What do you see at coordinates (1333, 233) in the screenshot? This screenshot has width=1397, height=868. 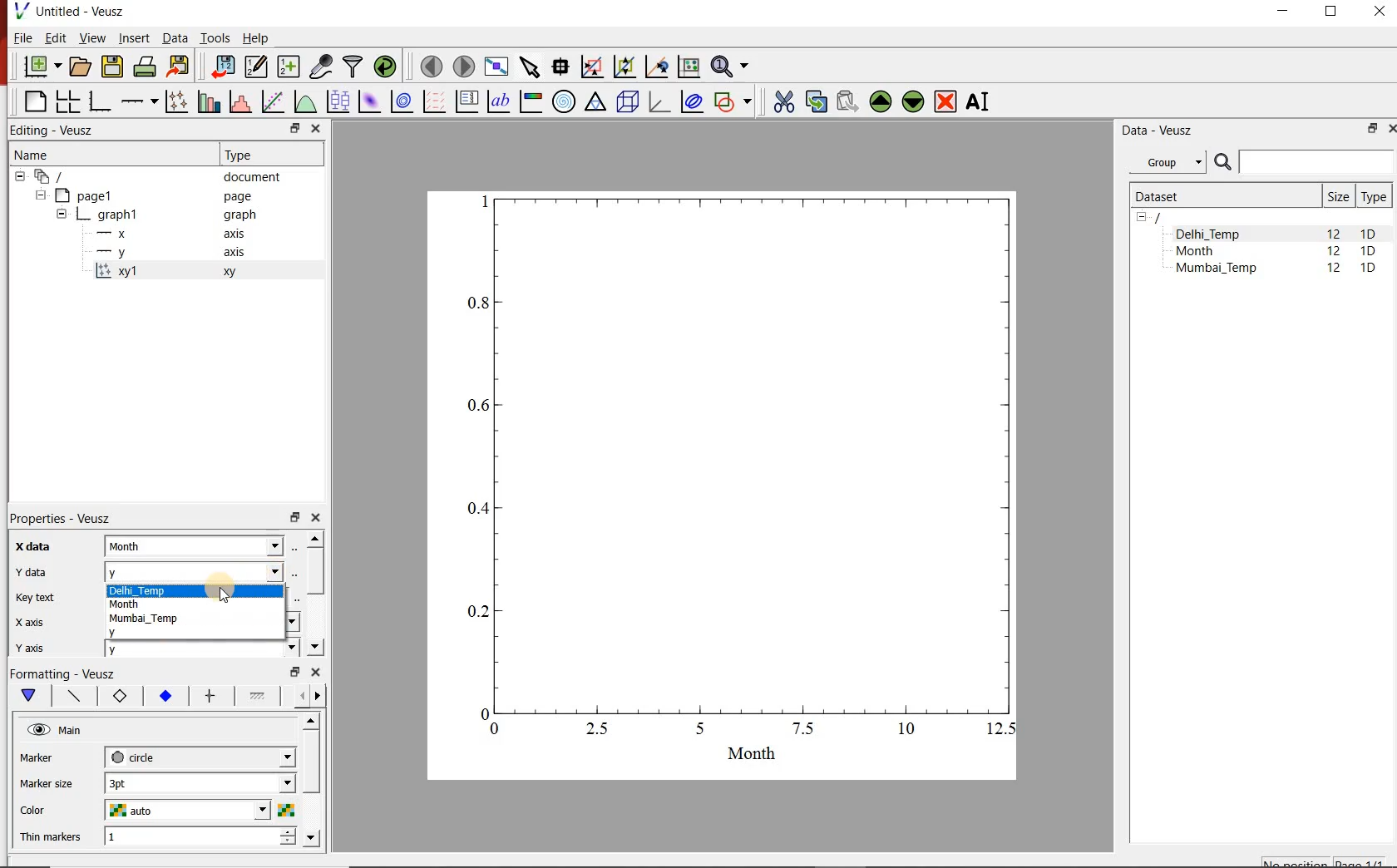 I see `12` at bounding box center [1333, 233].